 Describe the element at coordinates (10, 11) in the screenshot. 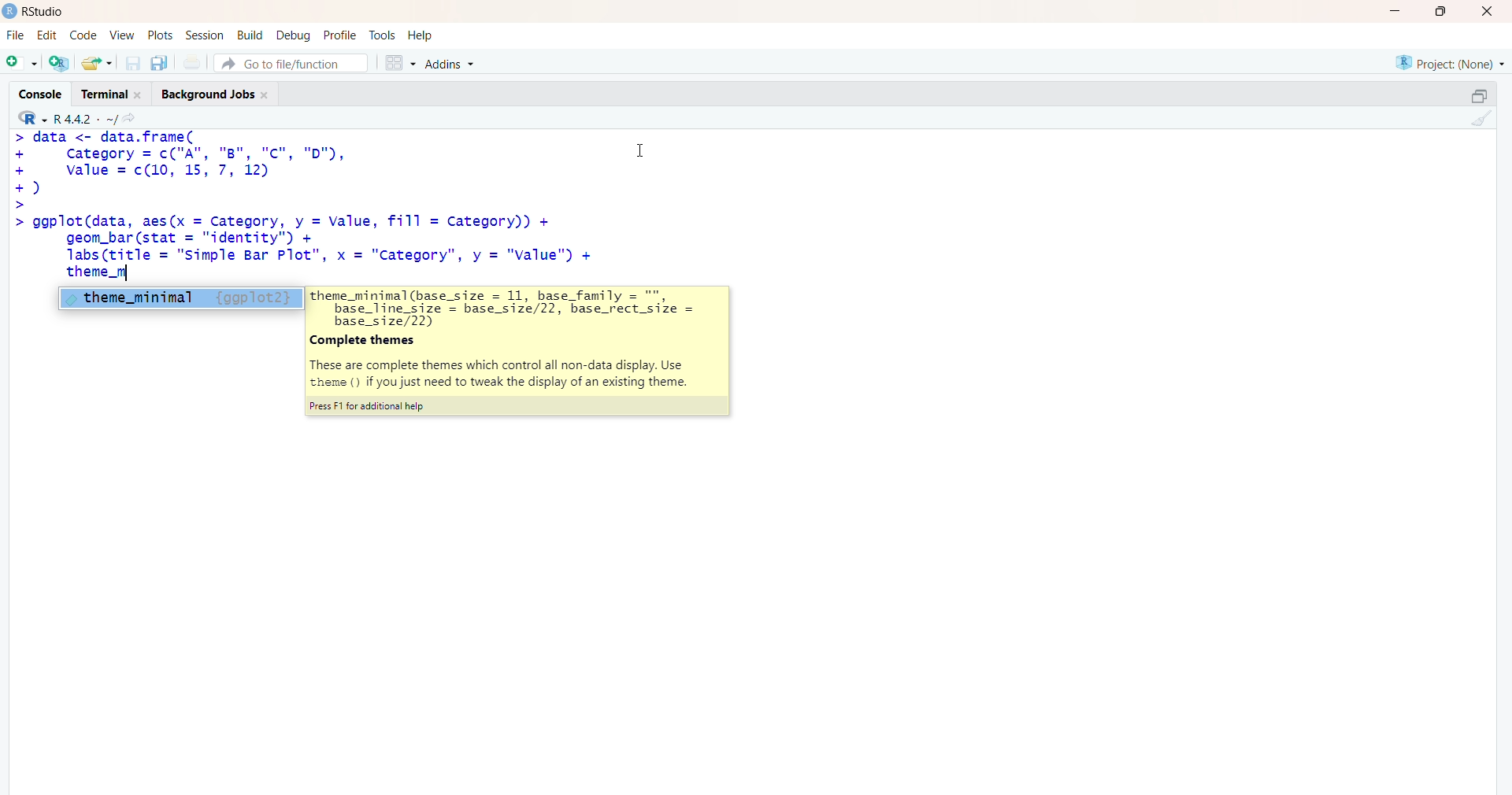

I see `logo` at that location.